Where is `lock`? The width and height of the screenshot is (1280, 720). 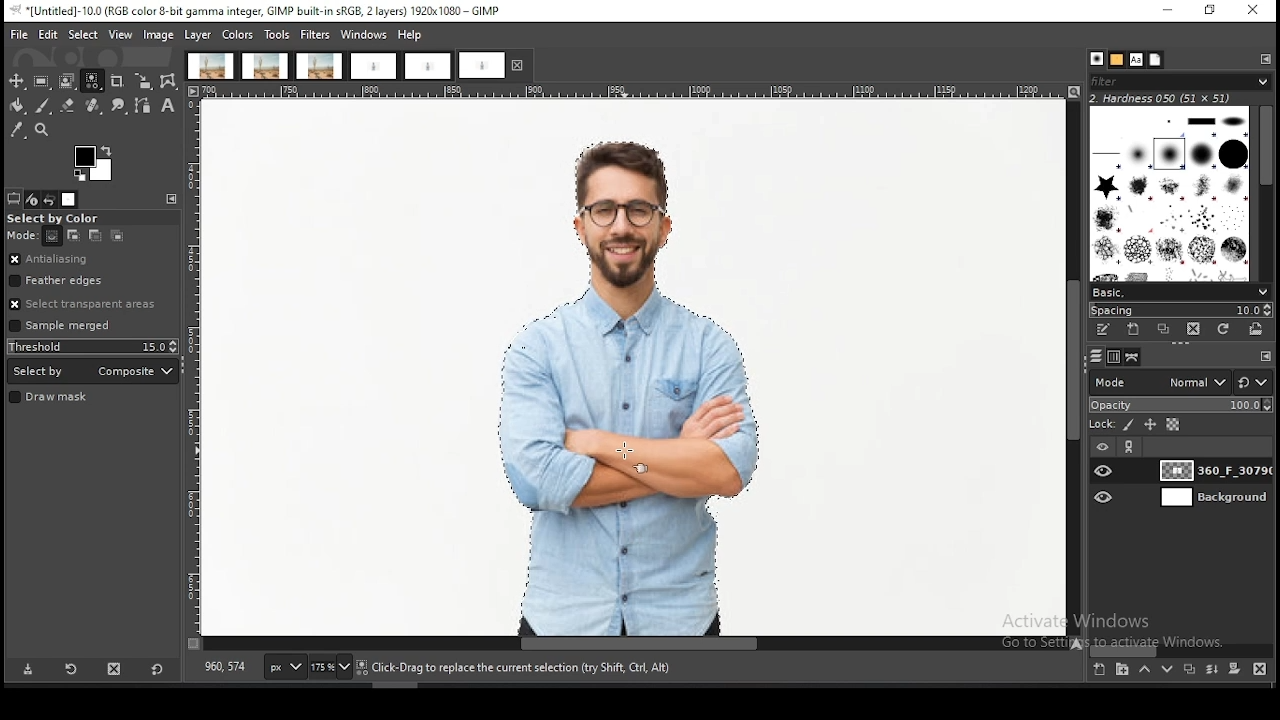
lock is located at coordinates (1100, 425).